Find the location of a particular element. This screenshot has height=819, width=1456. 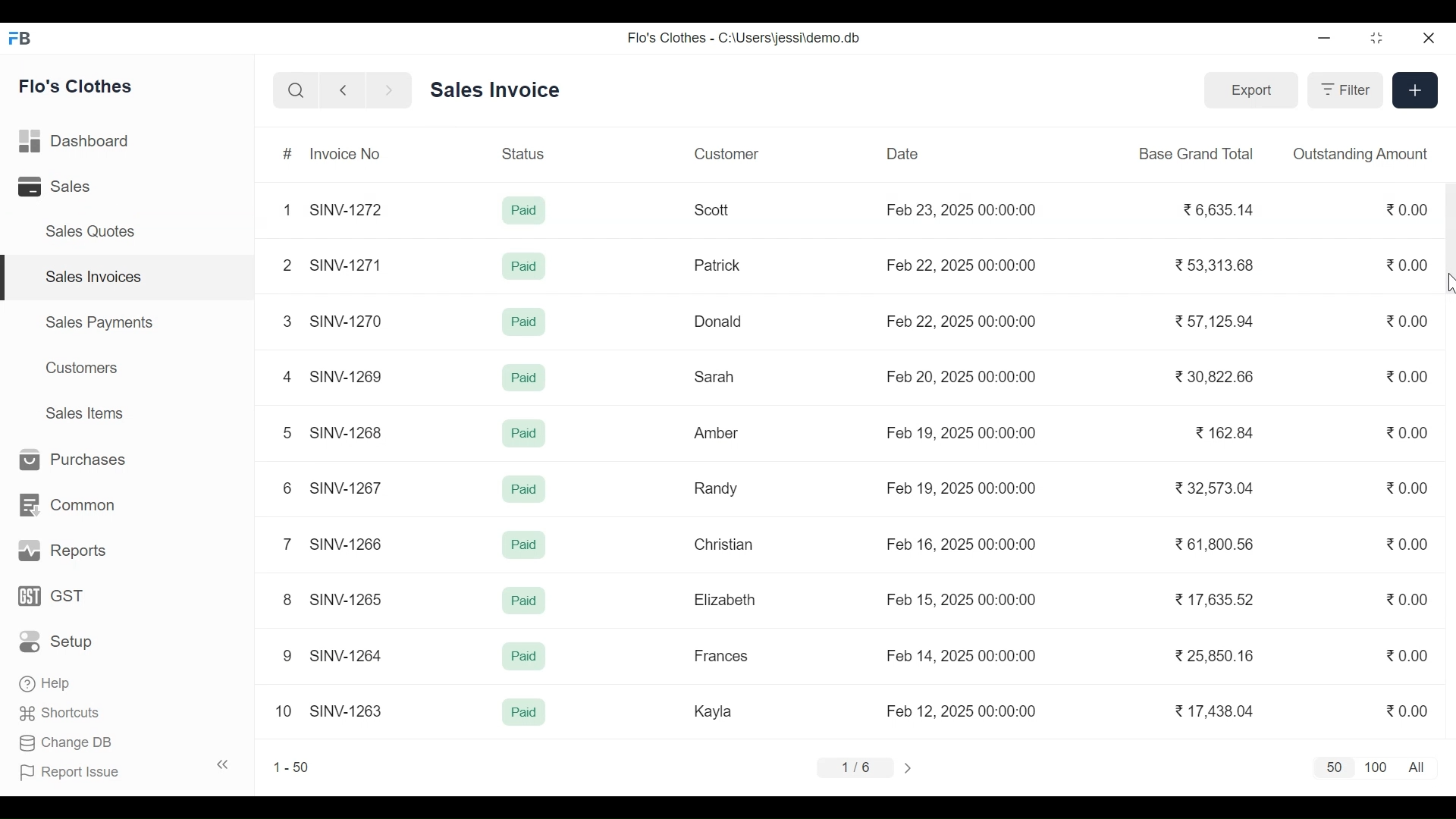

30,822.66 is located at coordinates (1216, 378).